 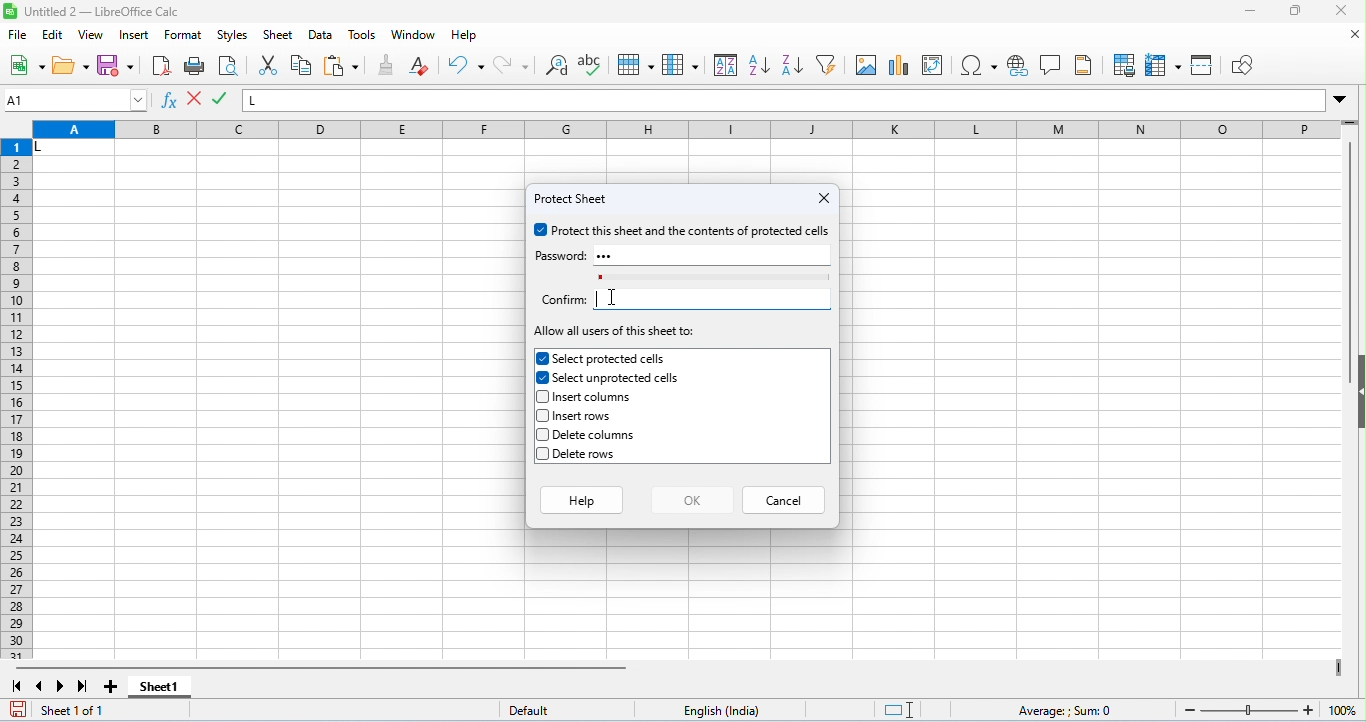 What do you see at coordinates (185, 37) in the screenshot?
I see `format` at bounding box center [185, 37].